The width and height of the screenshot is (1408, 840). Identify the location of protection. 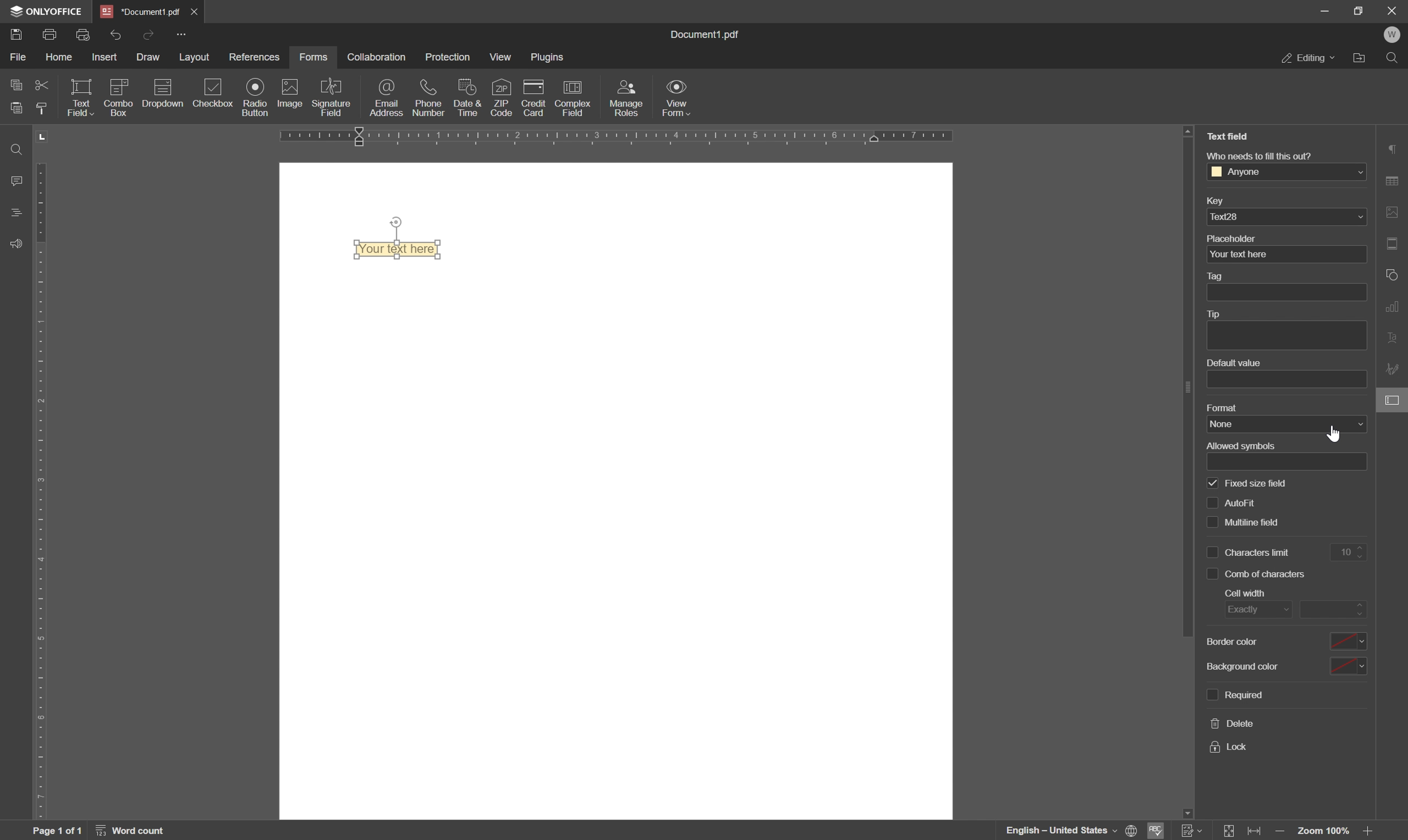
(450, 58).